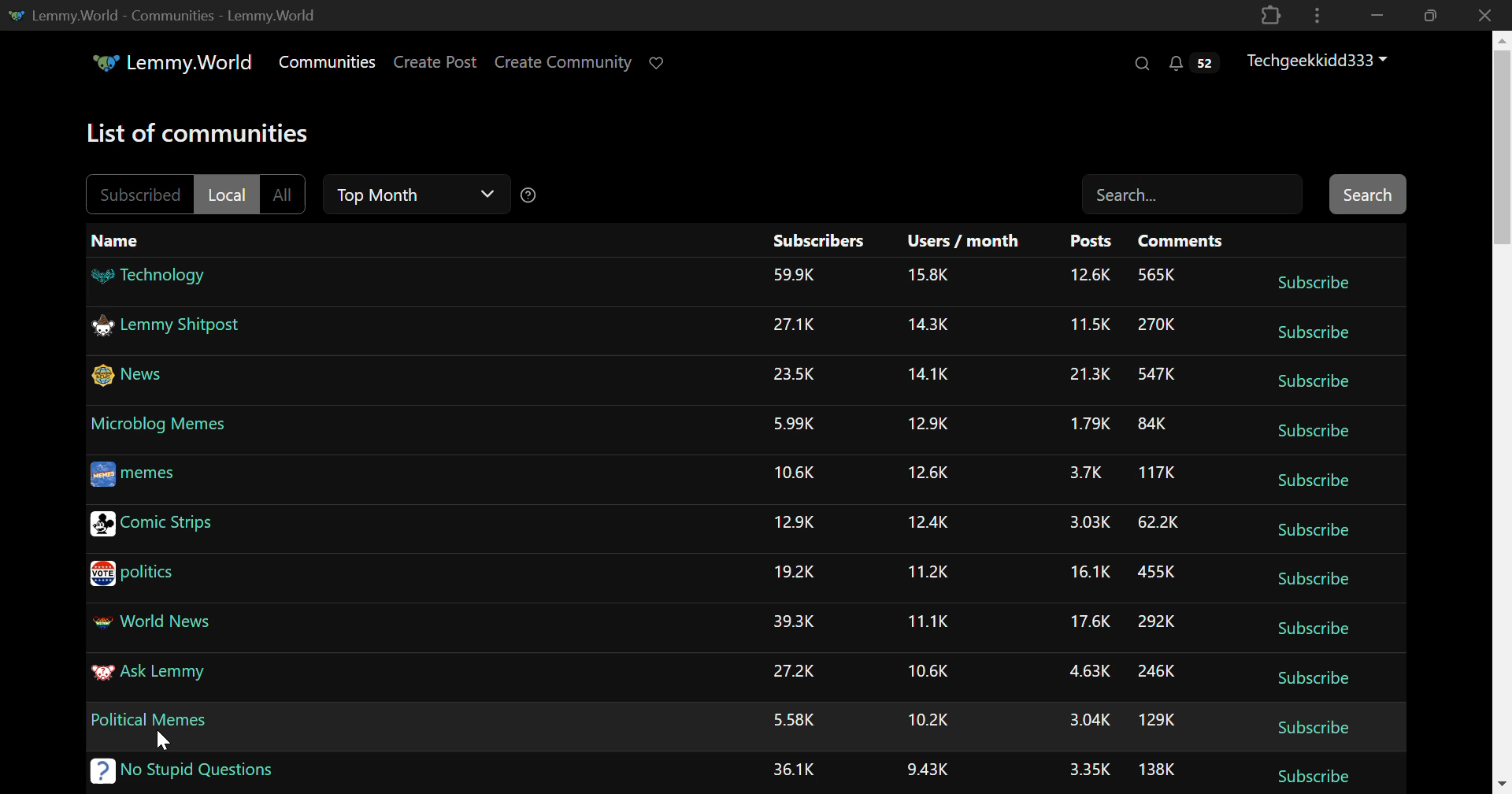 The image size is (1512, 794). I want to click on Amount, so click(931, 374).